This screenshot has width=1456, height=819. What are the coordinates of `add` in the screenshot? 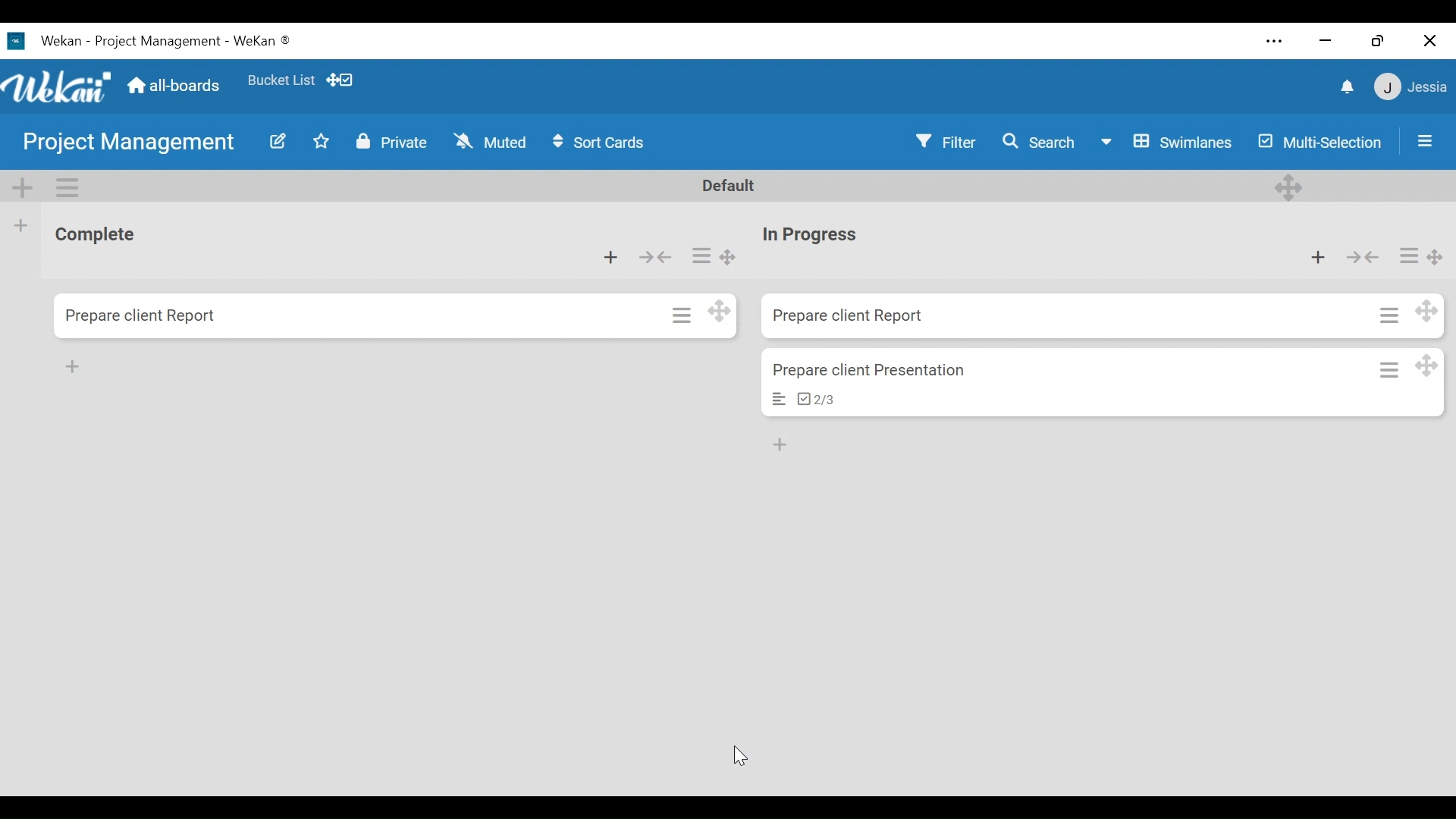 It's located at (76, 366).